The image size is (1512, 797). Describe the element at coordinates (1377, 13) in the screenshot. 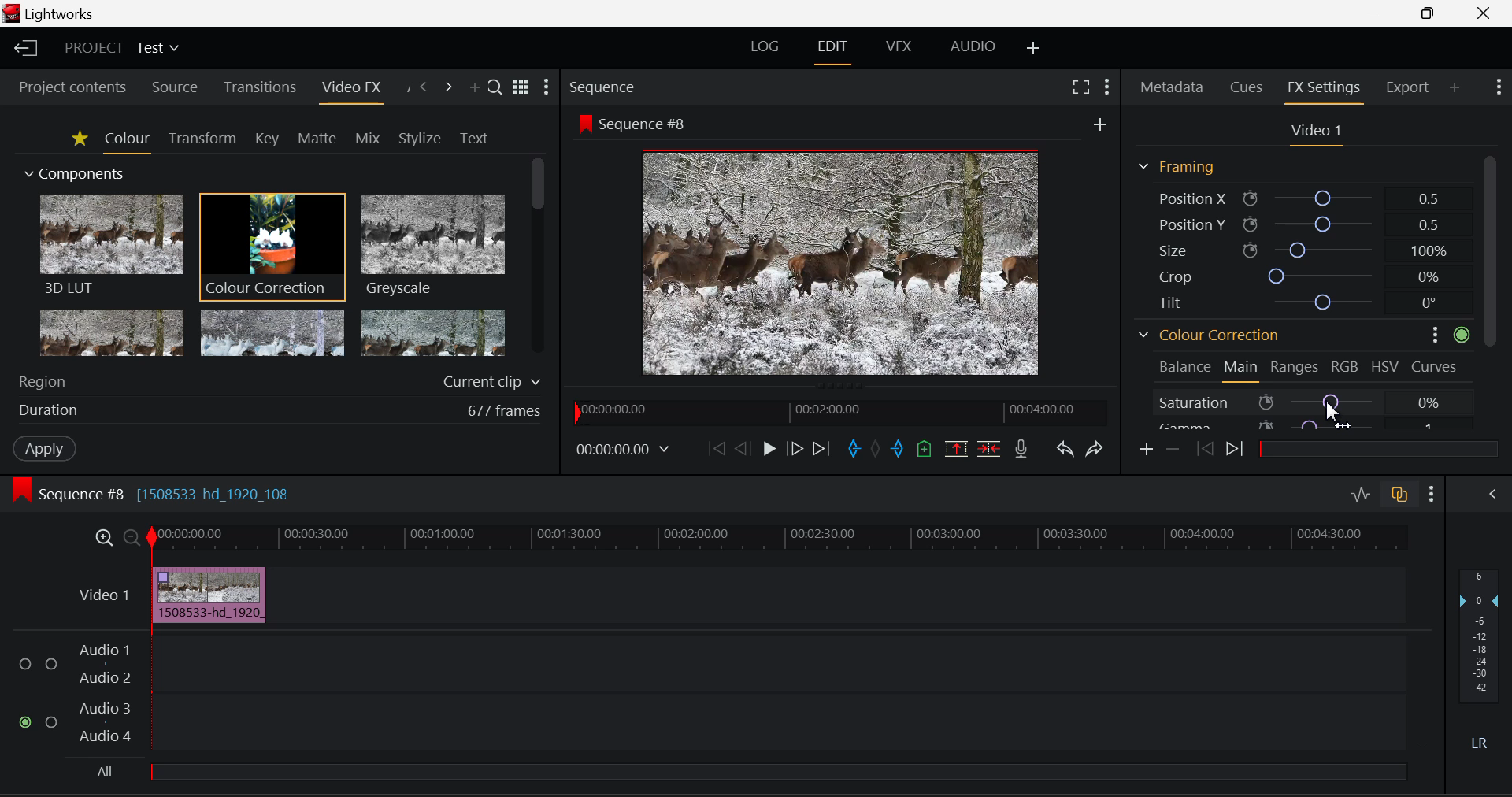

I see `Restore Down` at that location.